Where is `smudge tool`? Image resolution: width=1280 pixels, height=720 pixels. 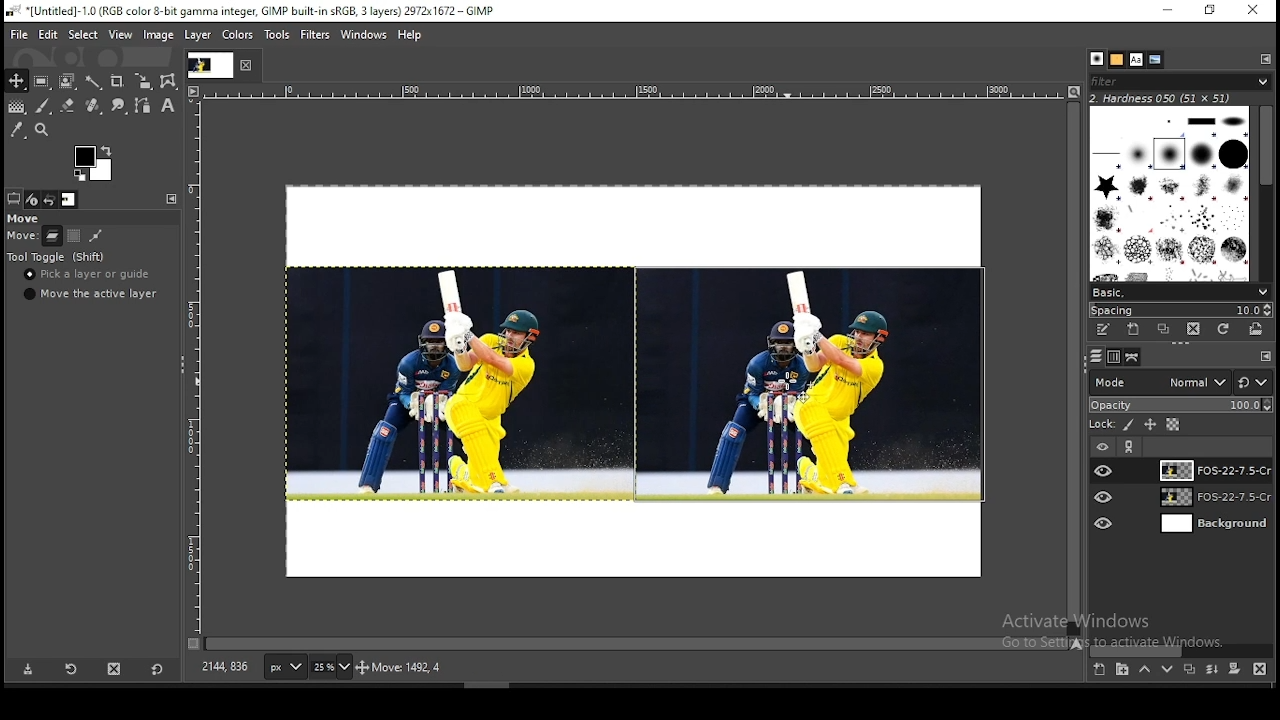 smudge tool is located at coordinates (116, 106).